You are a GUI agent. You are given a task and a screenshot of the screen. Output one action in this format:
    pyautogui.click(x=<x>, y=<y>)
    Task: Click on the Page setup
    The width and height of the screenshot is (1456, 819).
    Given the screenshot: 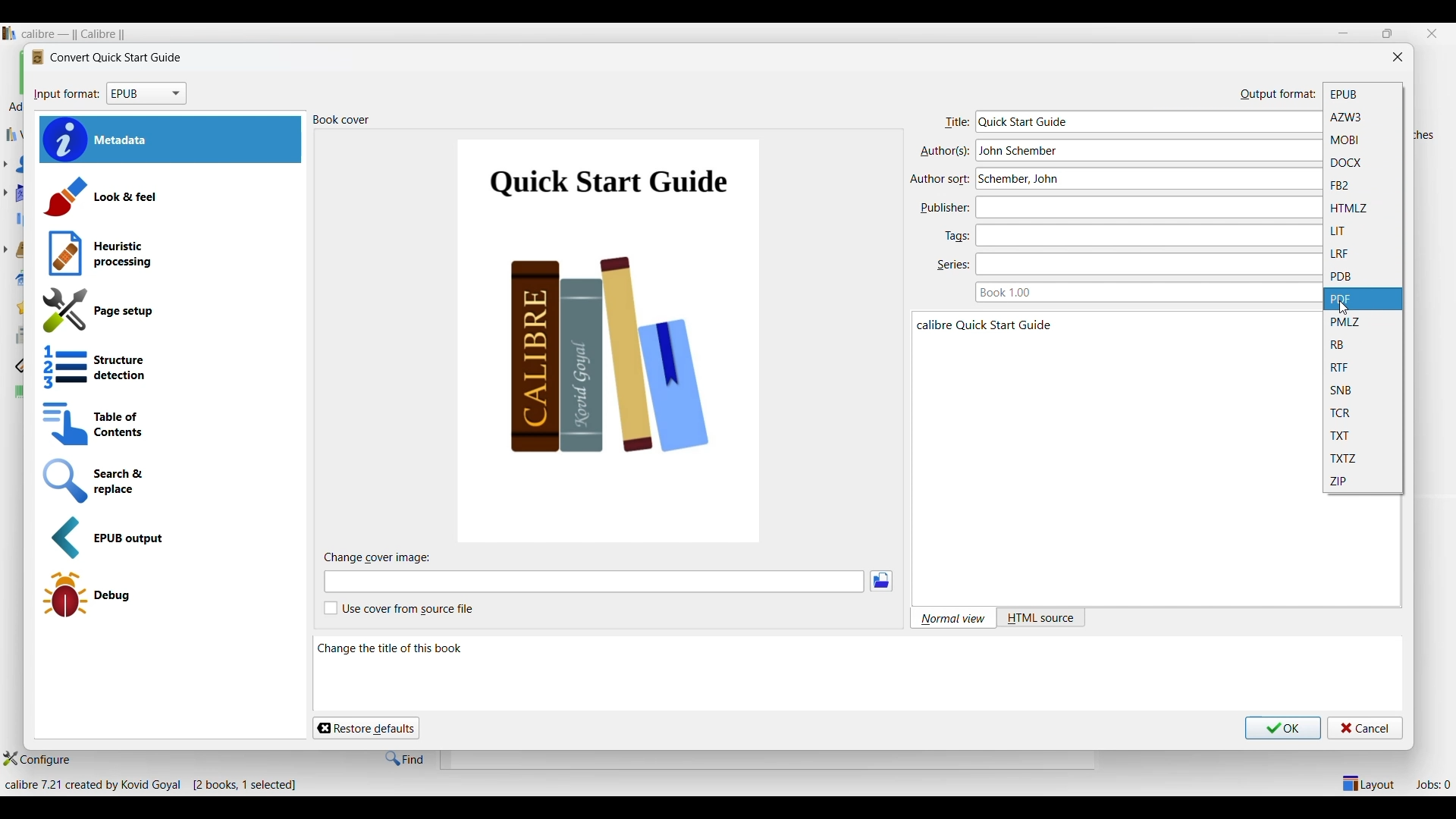 What is the action you would take?
    pyautogui.click(x=168, y=311)
    